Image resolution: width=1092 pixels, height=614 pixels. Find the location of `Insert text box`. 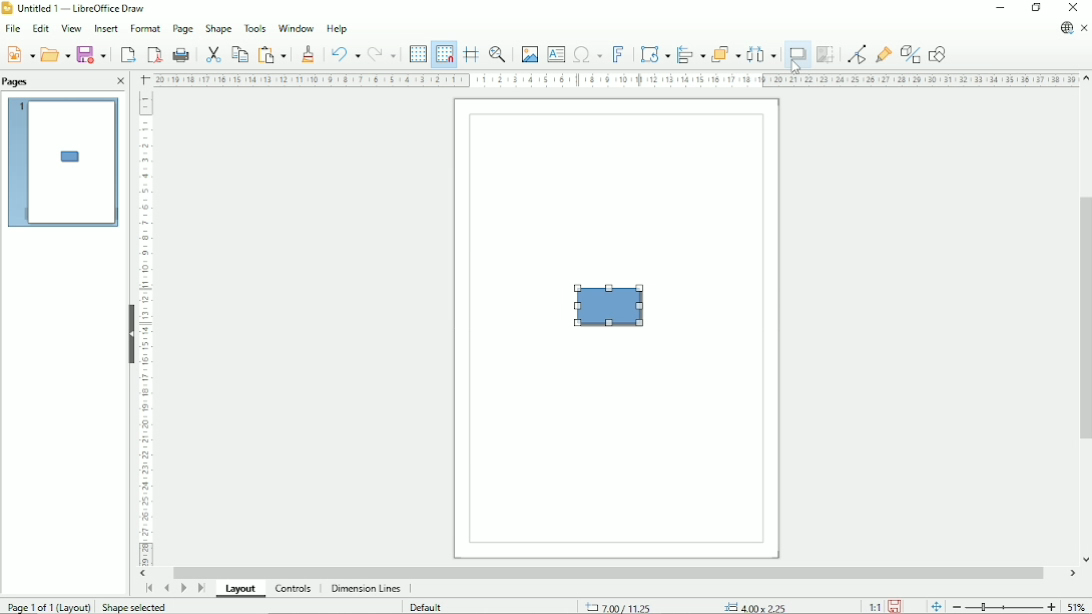

Insert text box is located at coordinates (555, 54).